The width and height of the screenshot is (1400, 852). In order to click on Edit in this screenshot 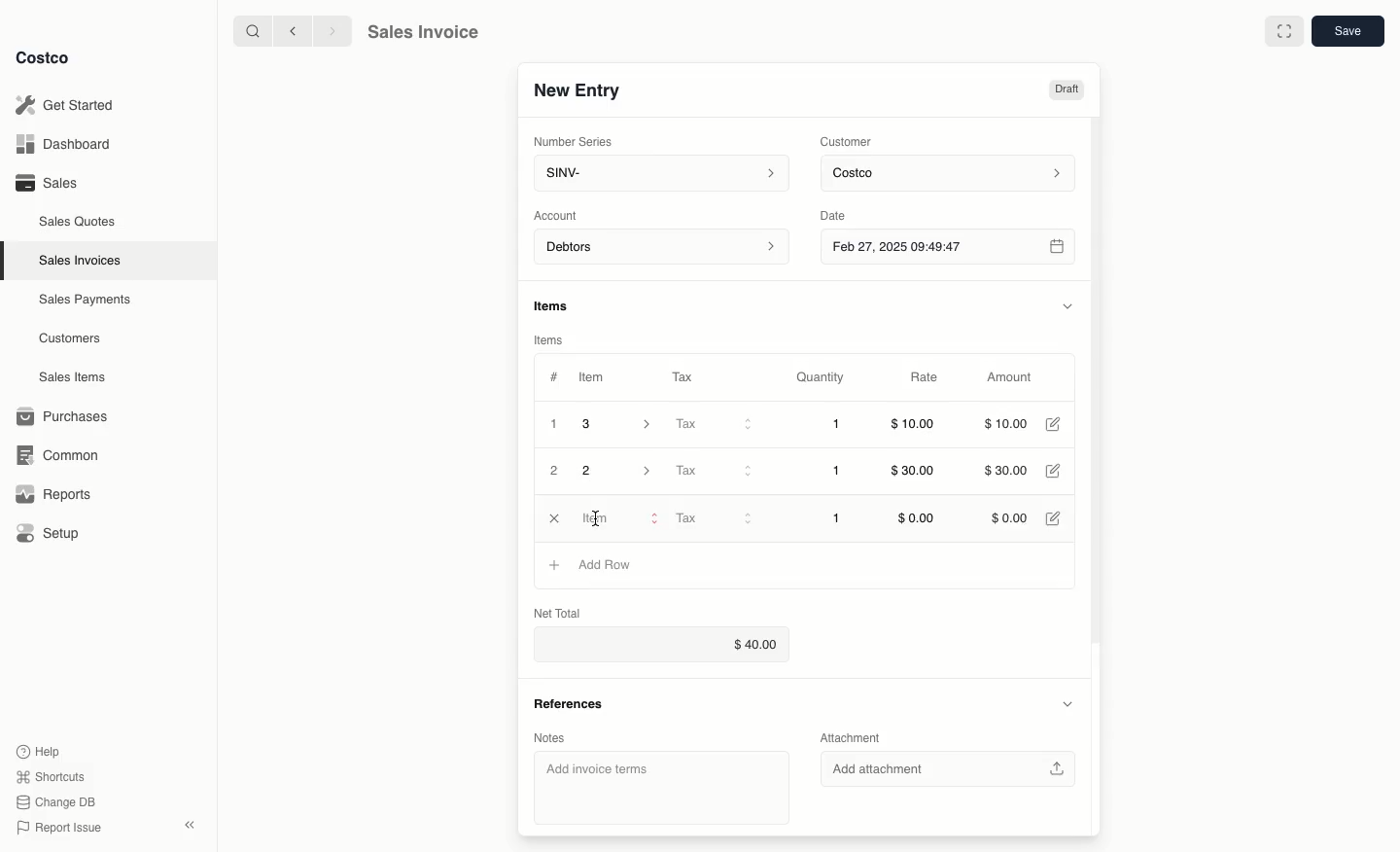, I will do `click(1054, 516)`.